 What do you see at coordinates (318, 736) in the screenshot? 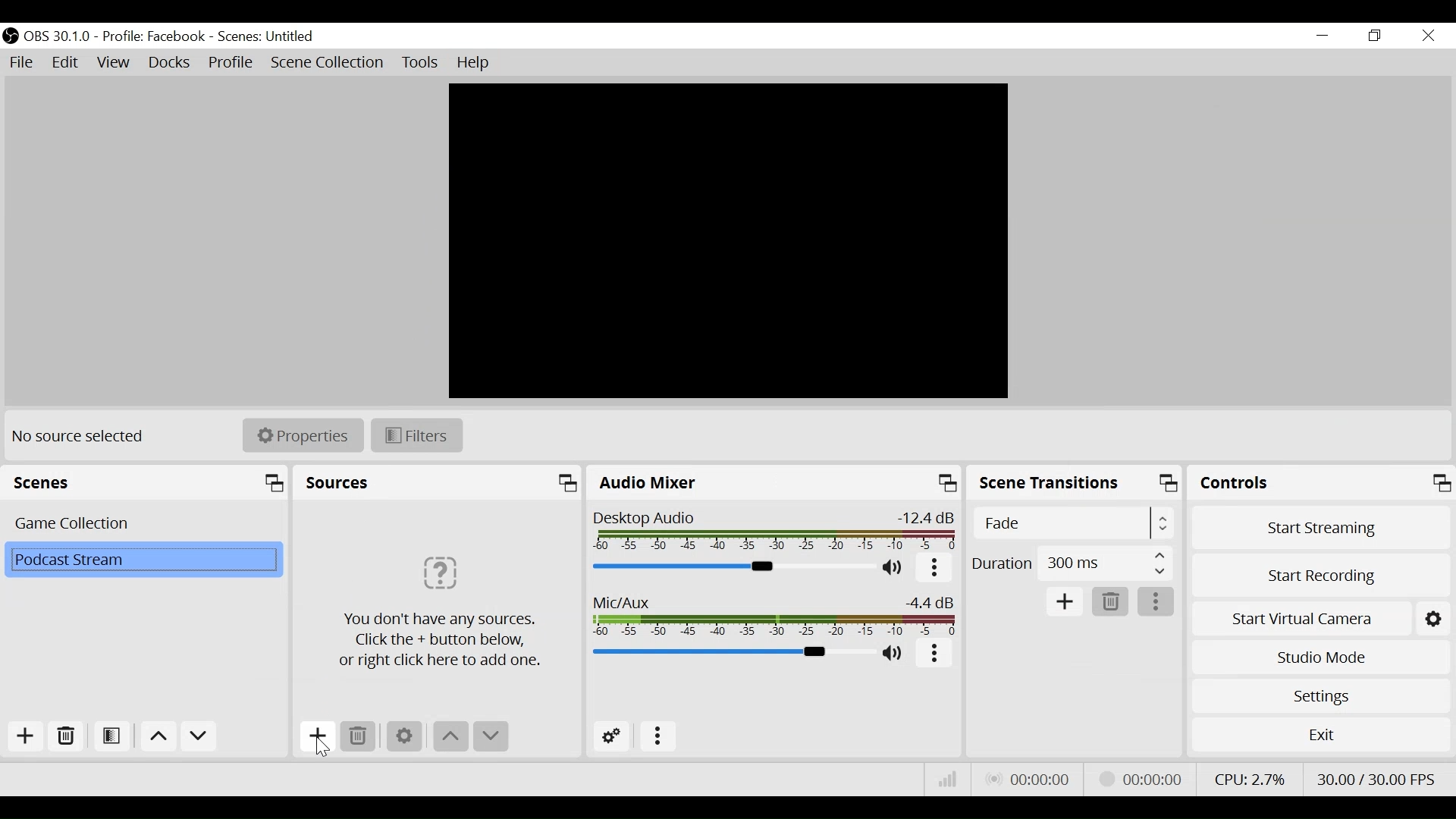
I see `Add` at bounding box center [318, 736].